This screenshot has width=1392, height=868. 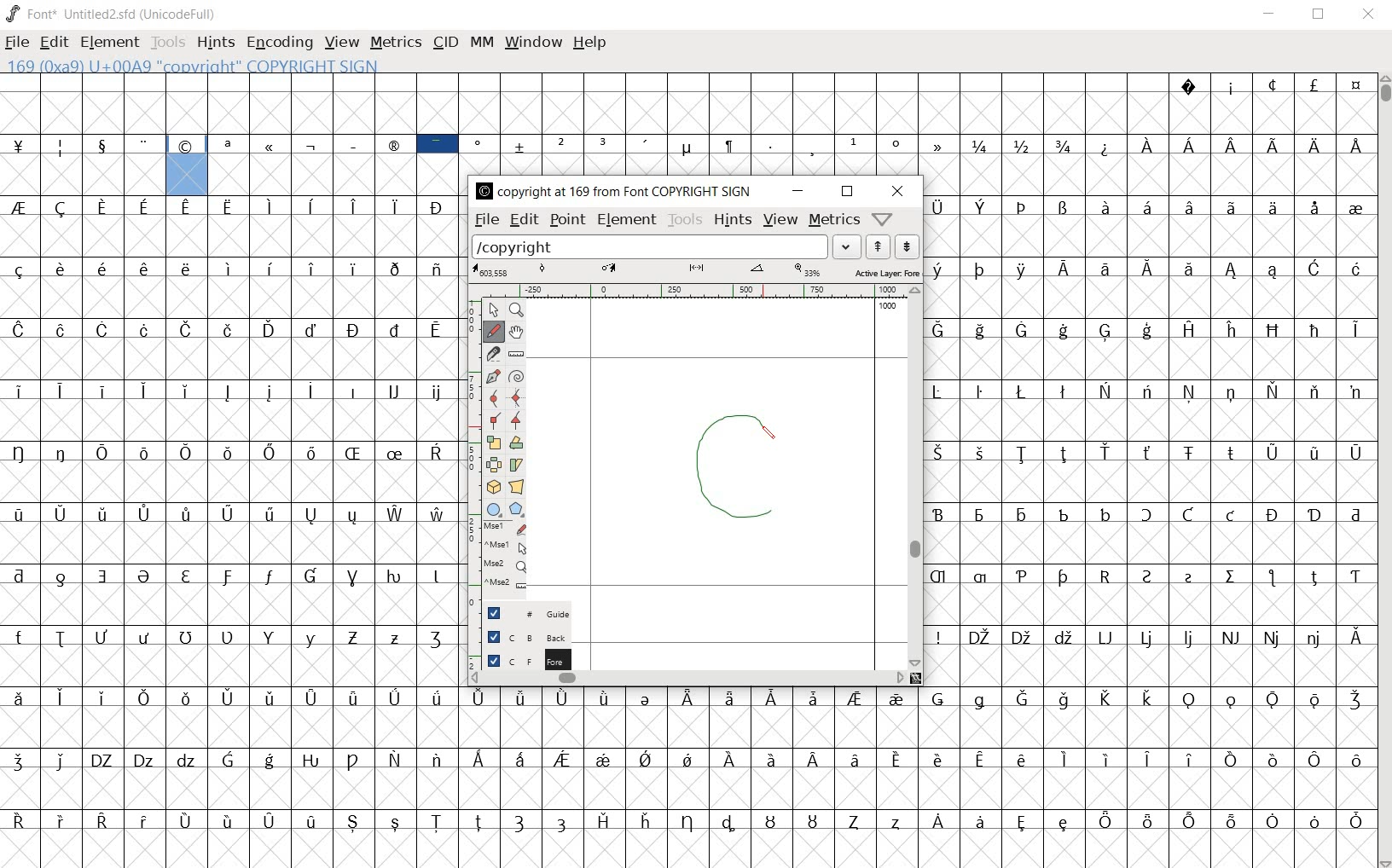 What do you see at coordinates (493, 486) in the screenshot?
I see `rotate the selection in 3D and project back to plane` at bounding box center [493, 486].